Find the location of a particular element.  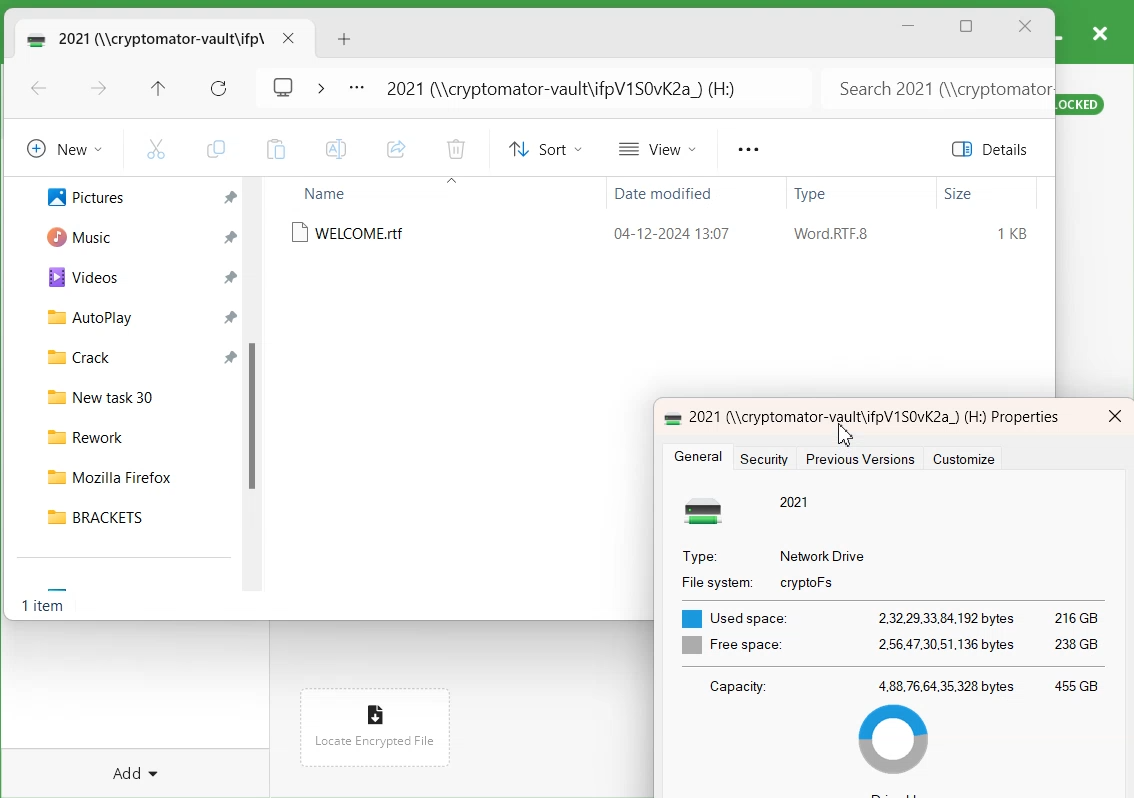

Network Drive is located at coordinates (823, 556).